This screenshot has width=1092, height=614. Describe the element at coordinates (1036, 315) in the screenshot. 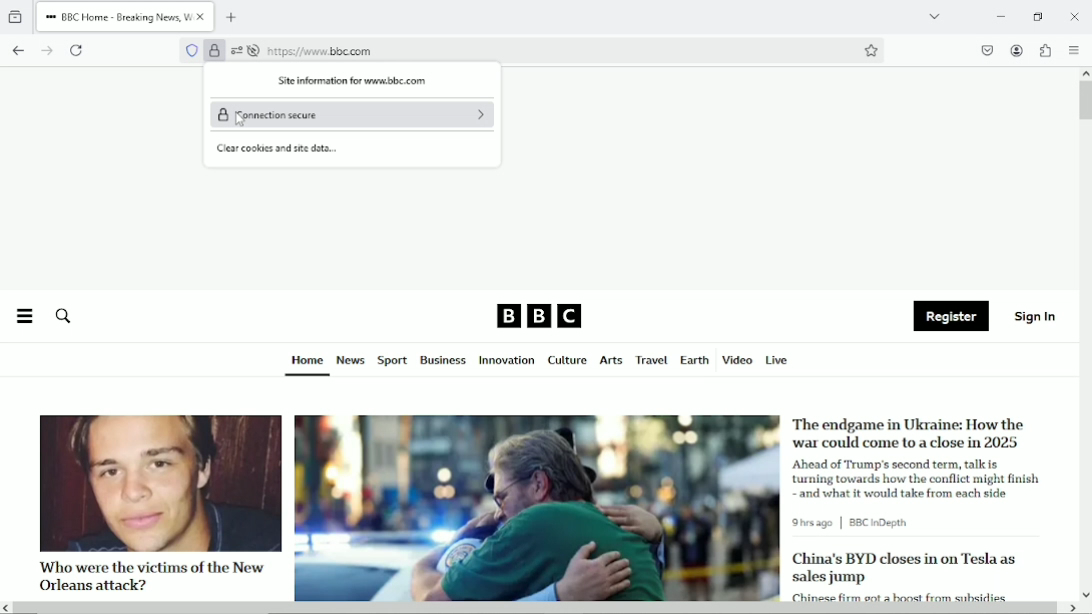

I see `Sign in` at that location.